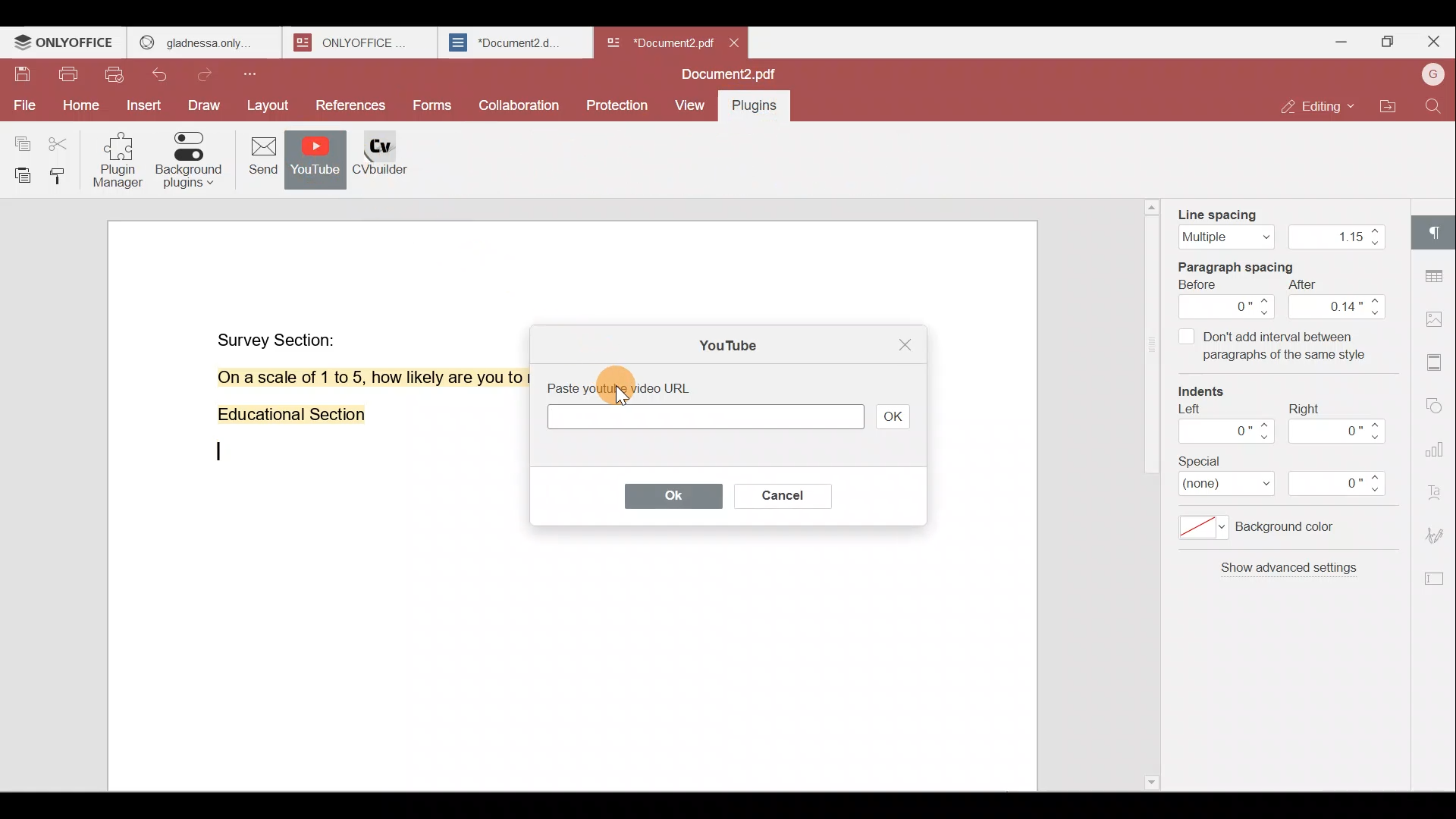 The width and height of the screenshot is (1456, 819). Describe the element at coordinates (217, 452) in the screenshot. I see `text cursor ` at that location.